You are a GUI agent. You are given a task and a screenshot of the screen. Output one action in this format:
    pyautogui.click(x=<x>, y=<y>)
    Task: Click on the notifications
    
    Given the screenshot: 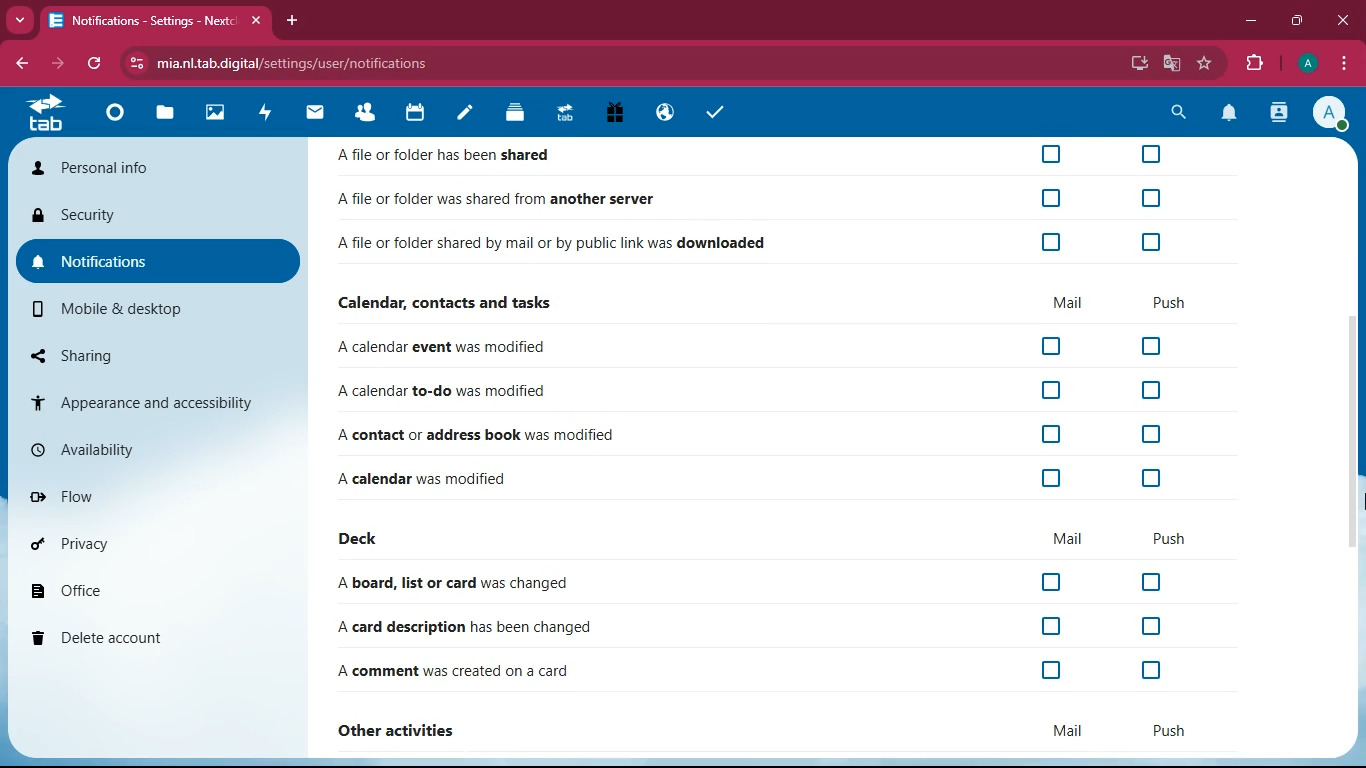 What is the action you would take?
    pyautogui.click(x=158, y=261)
    